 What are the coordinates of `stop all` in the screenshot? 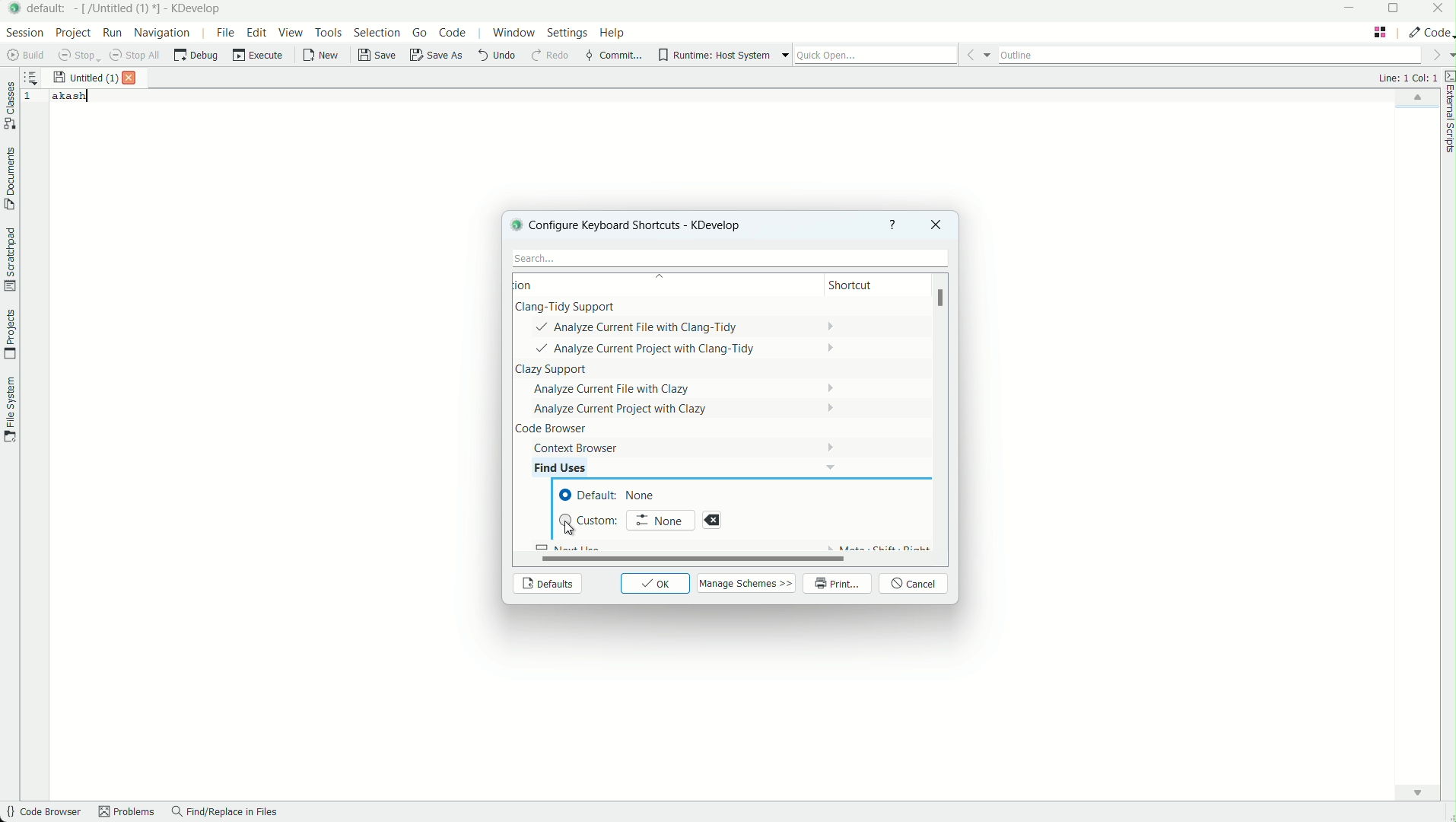 It's located at (137, 56).